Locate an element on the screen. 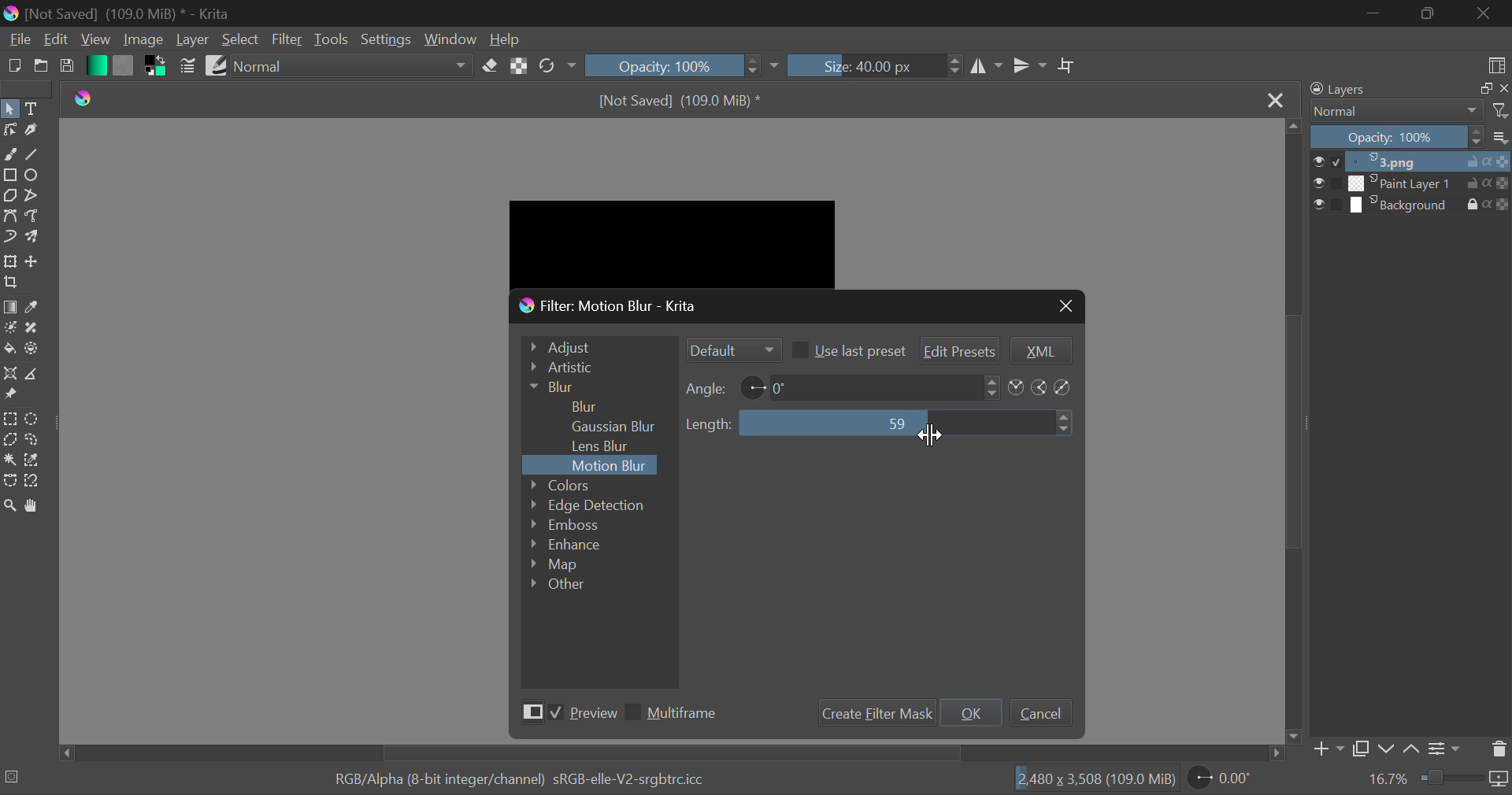 This screenshot has width=1512, height=795. dropdown is located at coordinates (778, 66).